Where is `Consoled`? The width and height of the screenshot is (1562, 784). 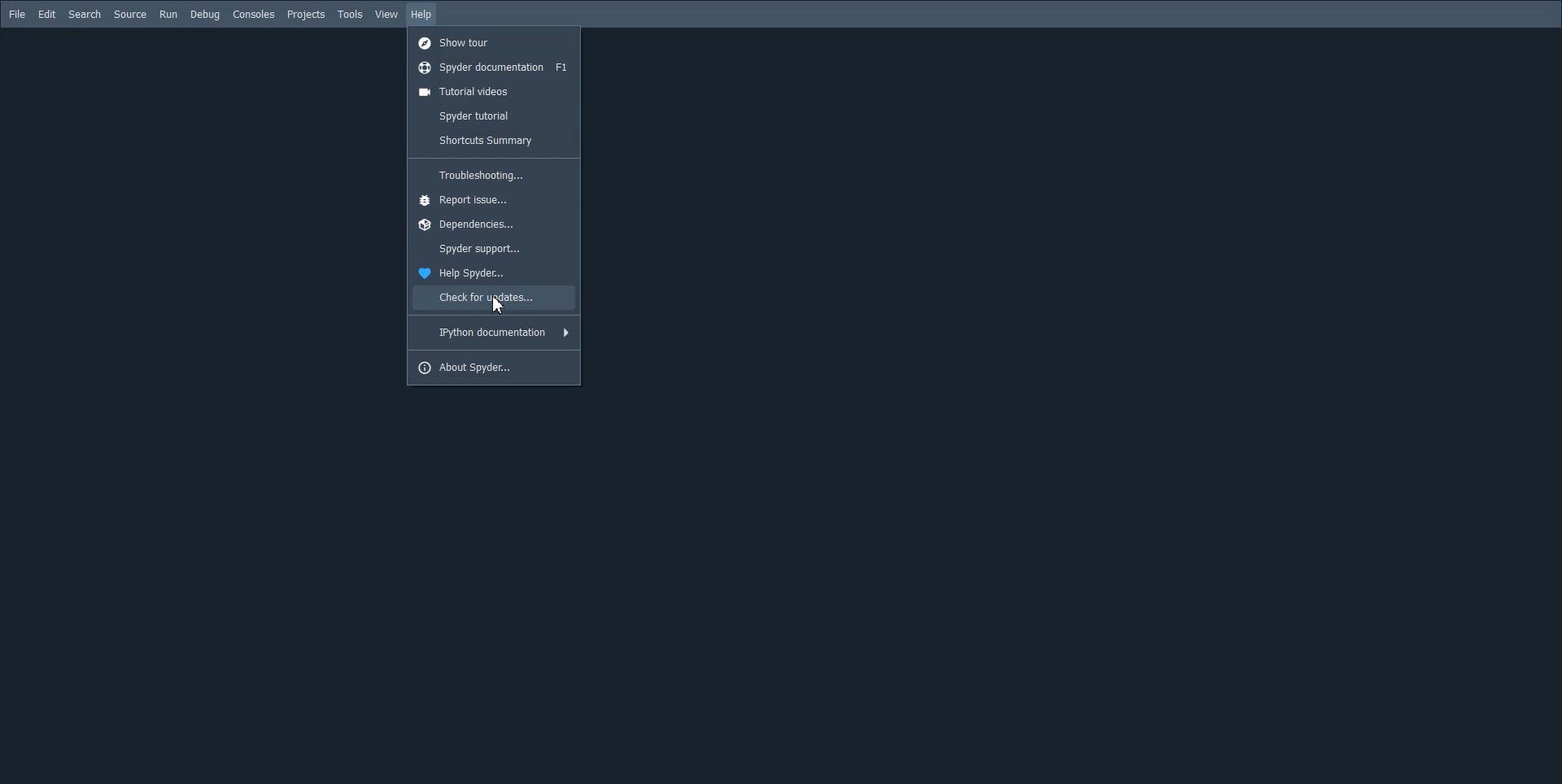 Consoled is located at coordinates (255, 14).